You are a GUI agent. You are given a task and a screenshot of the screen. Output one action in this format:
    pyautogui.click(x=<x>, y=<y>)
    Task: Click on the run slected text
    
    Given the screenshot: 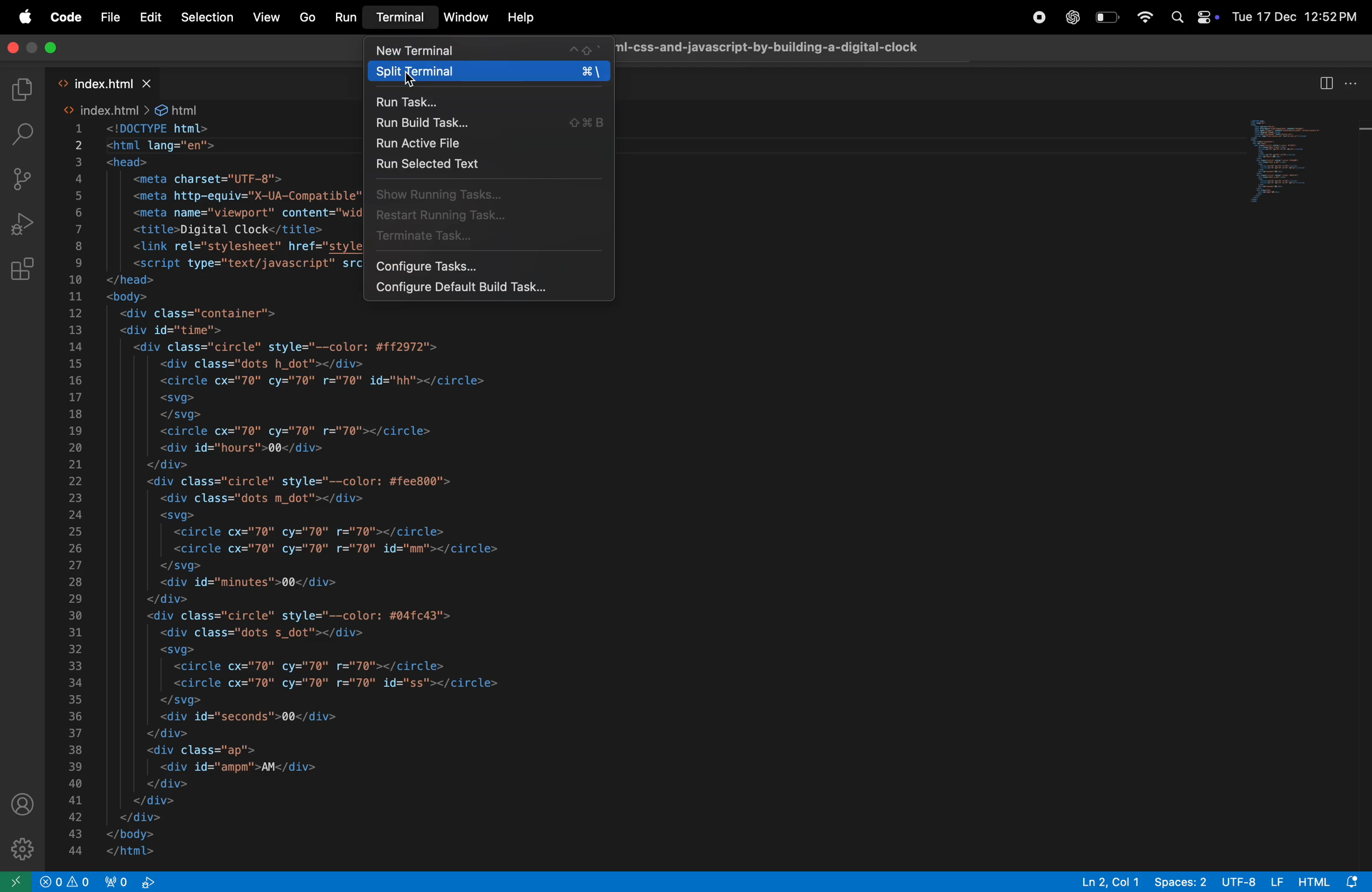 What is the action you would take?
    pyautogui.click(x=492, y=165)
    